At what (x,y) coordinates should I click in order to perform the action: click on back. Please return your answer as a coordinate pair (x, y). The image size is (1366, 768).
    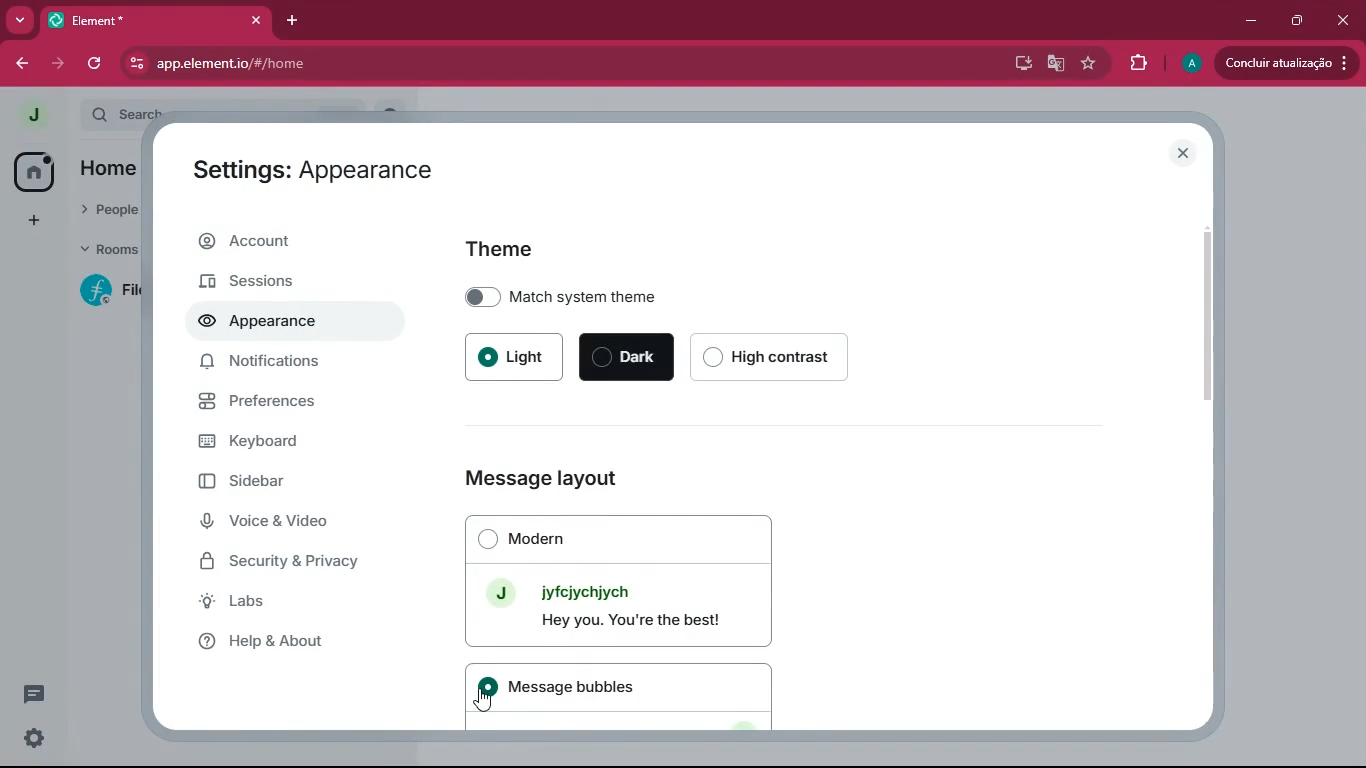
    Looking at the image, I should click on (21, 66).